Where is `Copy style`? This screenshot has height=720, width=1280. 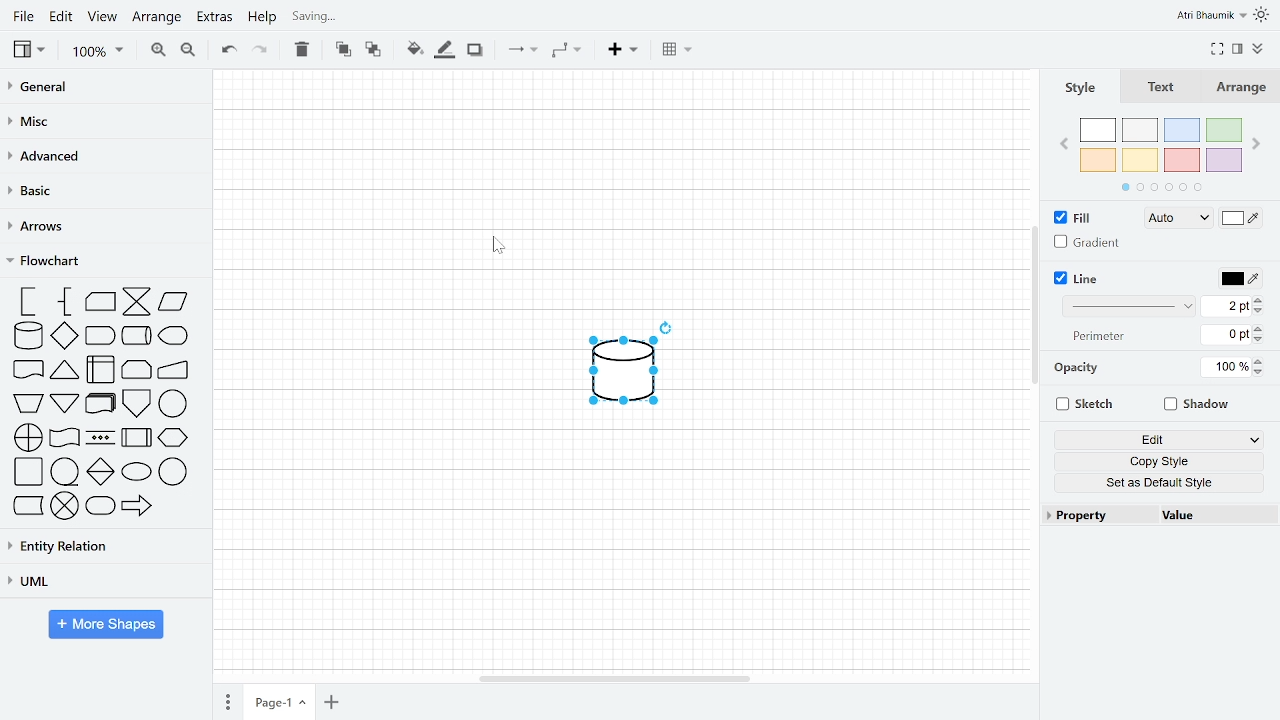 Copy style is located at coordinates (1158, 461).